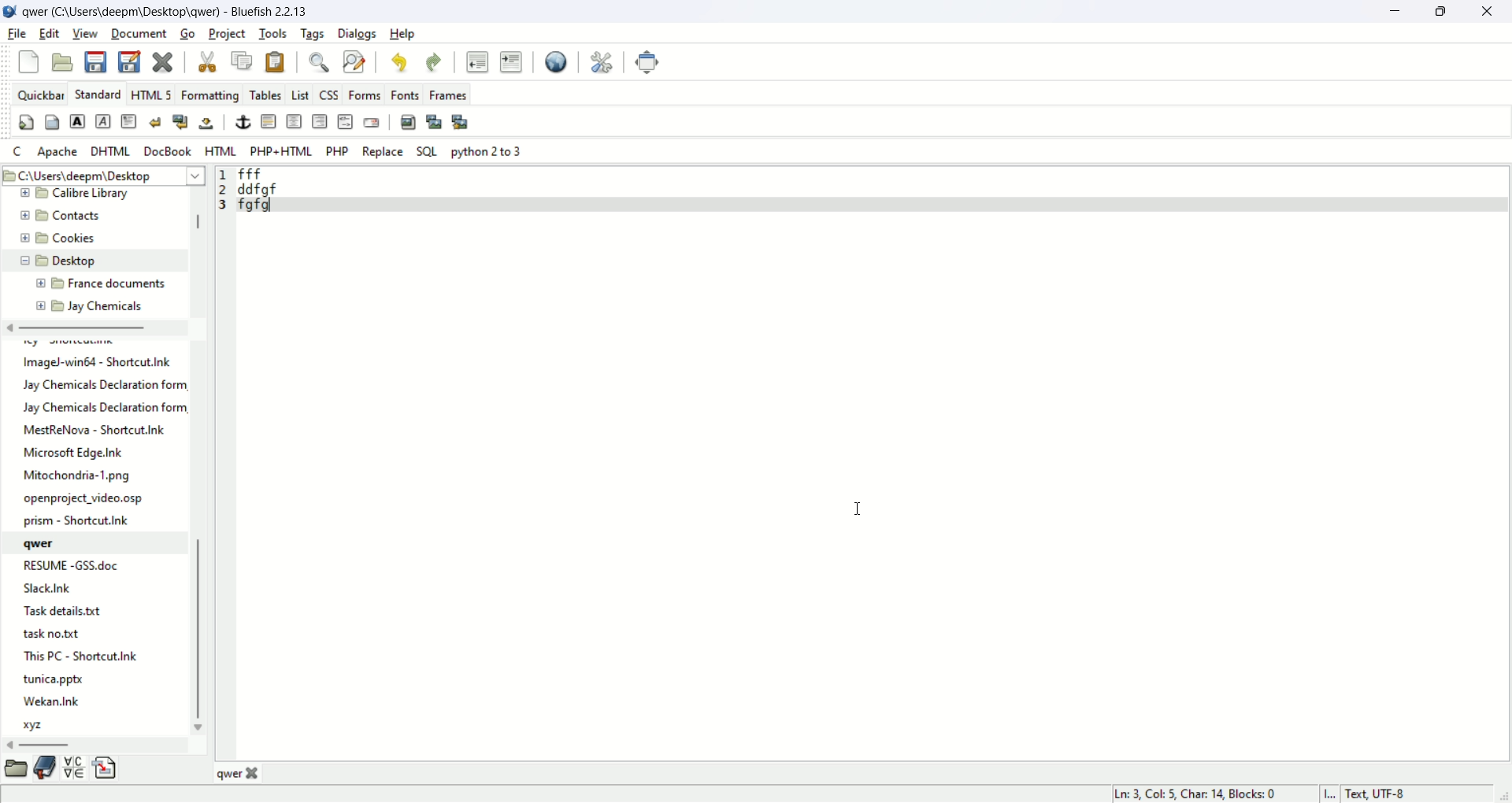 The image size is (1512, 803). What do you see at coordinates (401, 61) in the screenshot?
I see `undo` at bounding box center [401, 61].